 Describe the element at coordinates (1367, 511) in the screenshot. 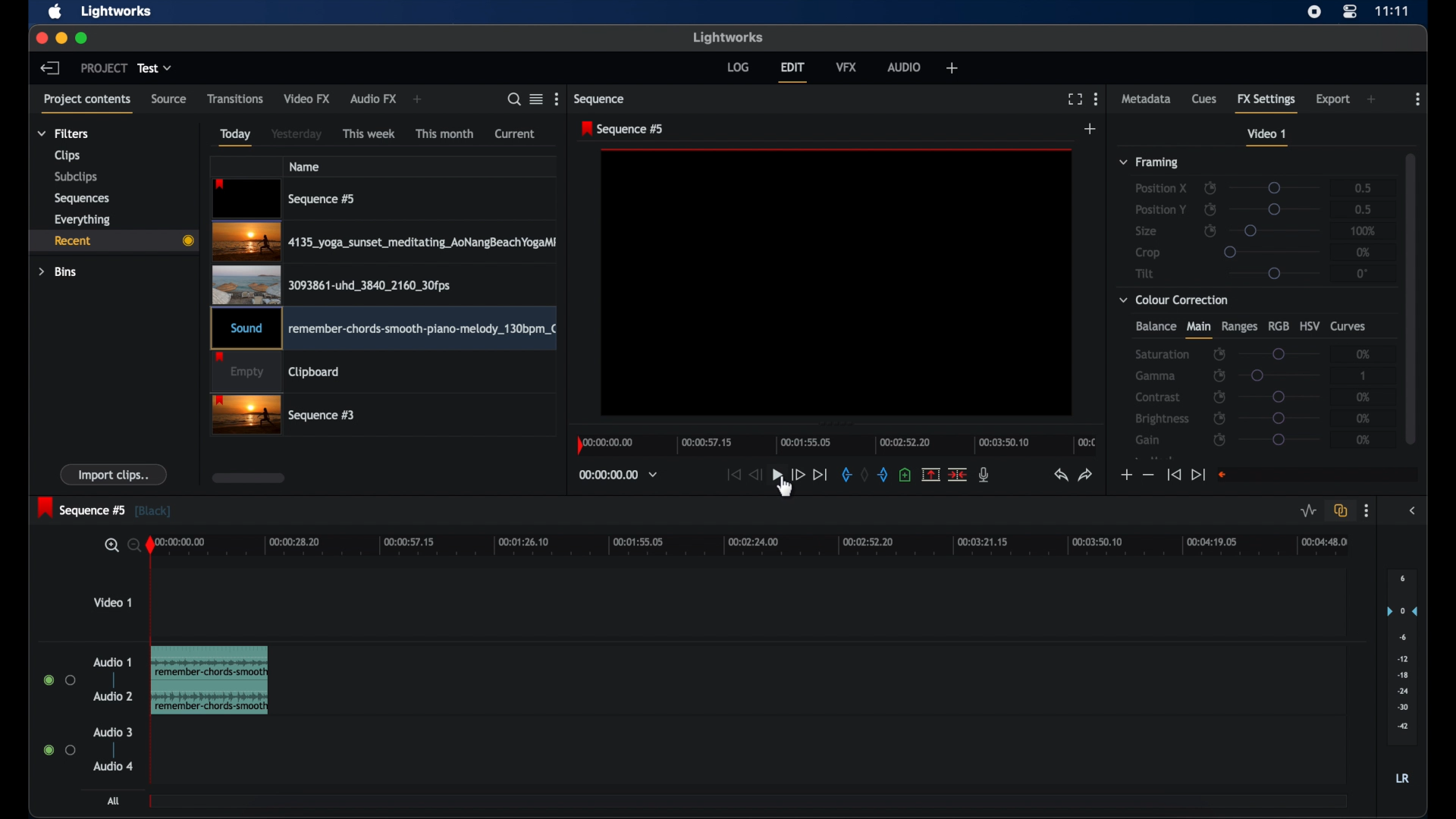

I see `more options` at that location.